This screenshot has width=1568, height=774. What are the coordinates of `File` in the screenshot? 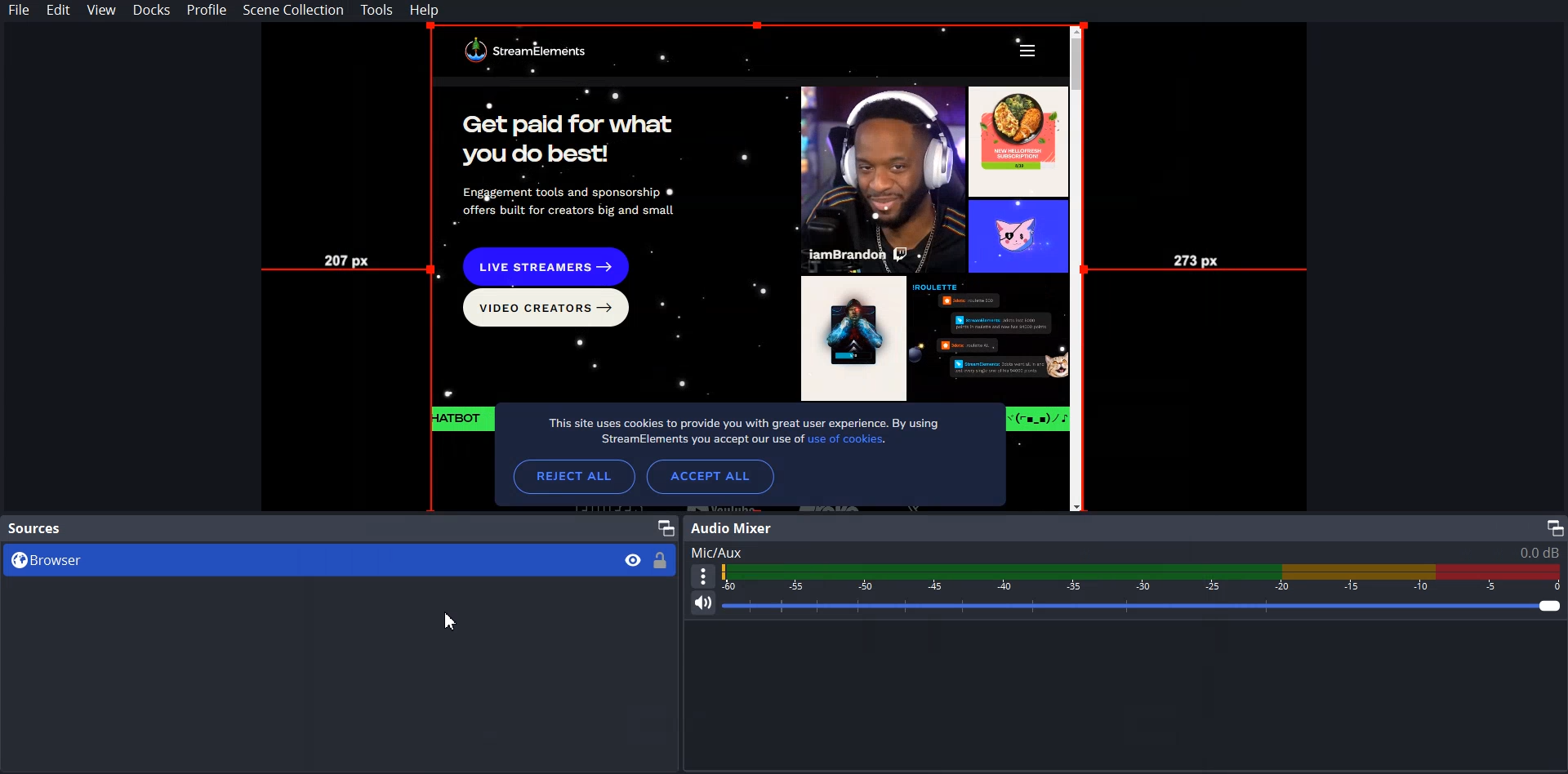 It's located at (19, 11).